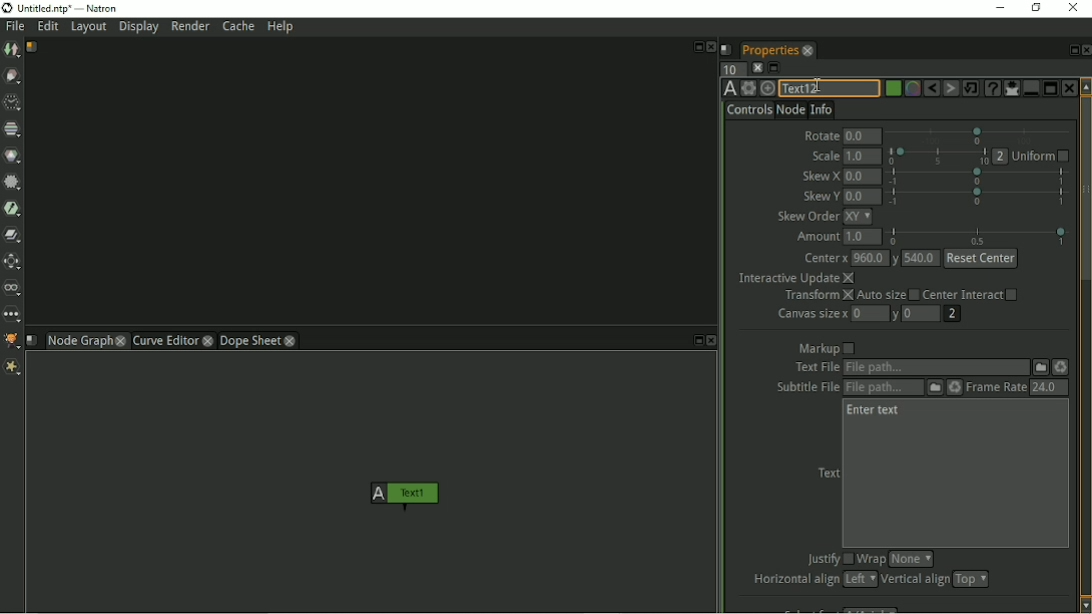 This screenshot has height=614, width=1092. I want to click on Color, so click(13, 155).